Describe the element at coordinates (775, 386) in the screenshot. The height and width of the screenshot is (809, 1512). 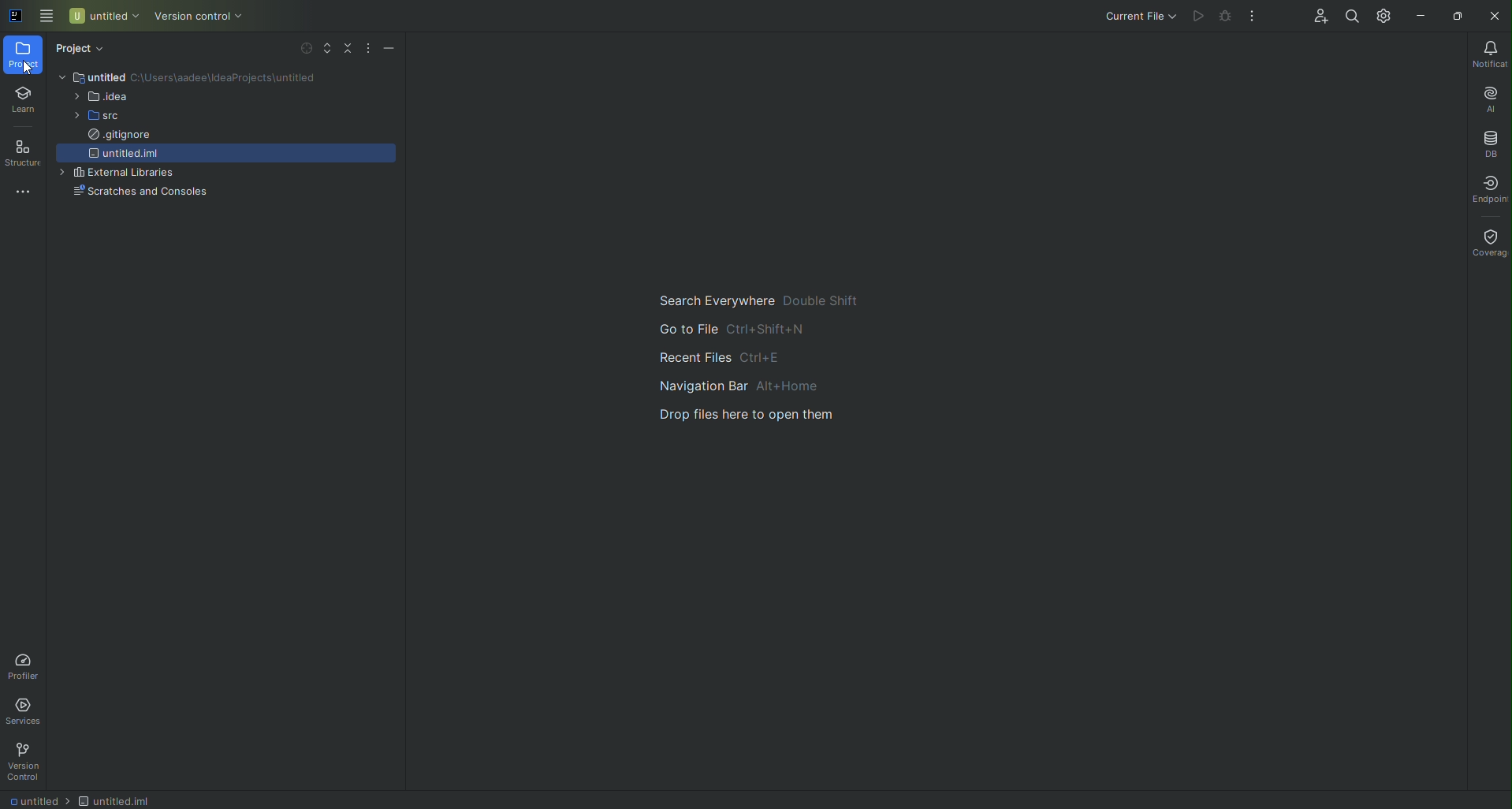
I see `Guide for search,project view, and navigation of files ` at that location.